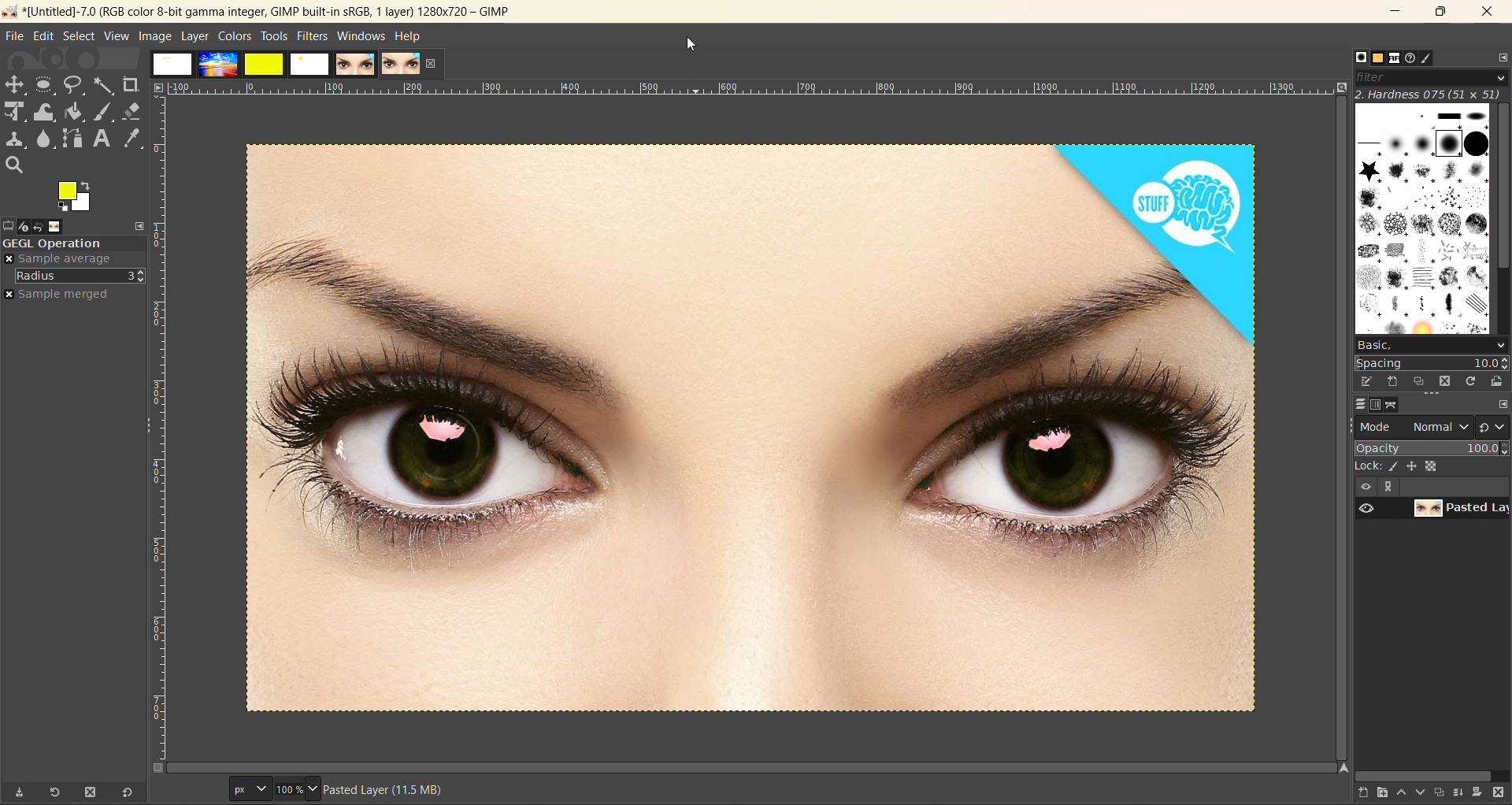 The image size is (1512, 805). Describe the element at coordinates (76, 265) in the screenshot. I see `move` at that location.